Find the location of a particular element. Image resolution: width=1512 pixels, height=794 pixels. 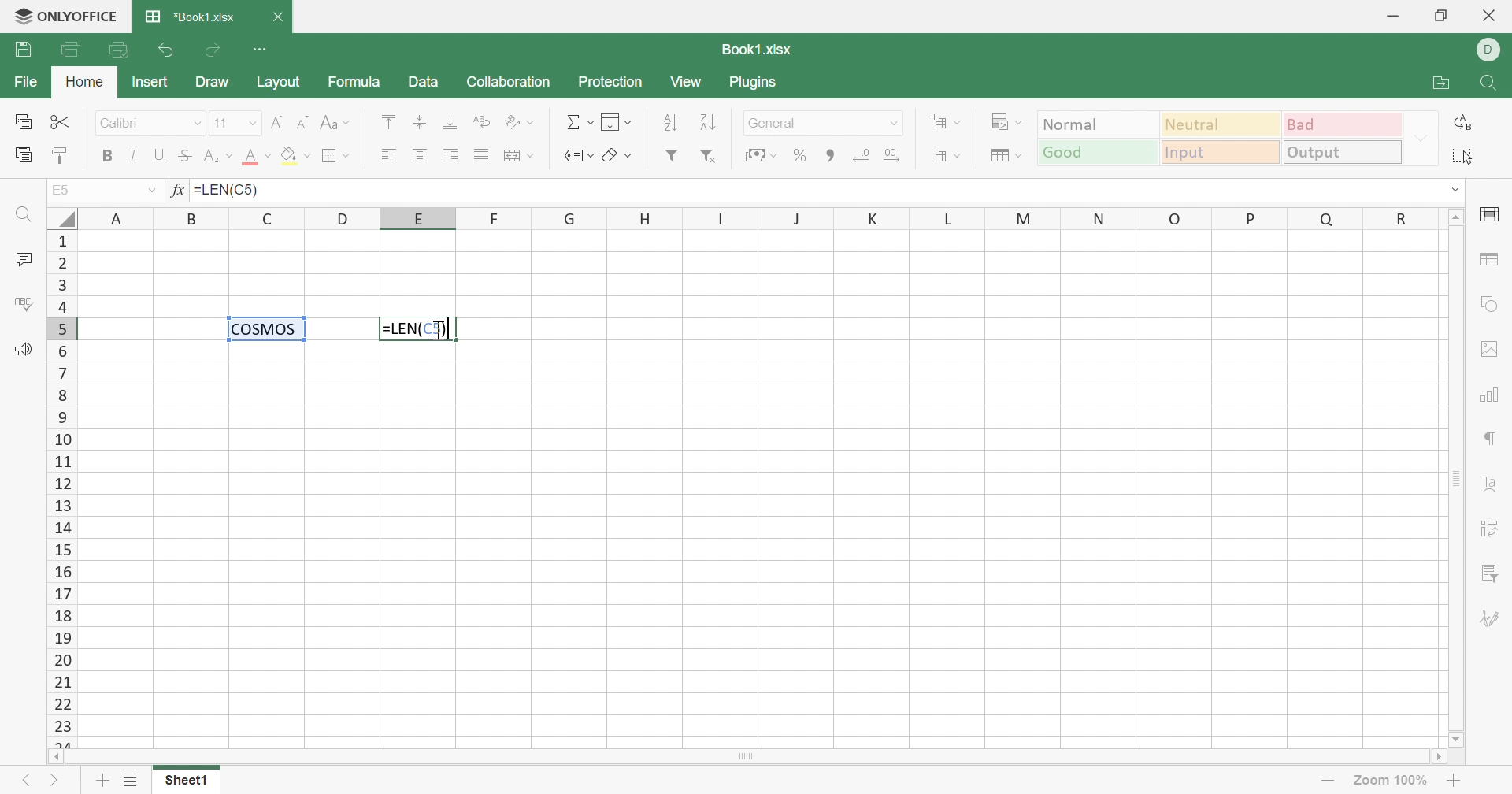

Paste is located at coordinates (22, 156).